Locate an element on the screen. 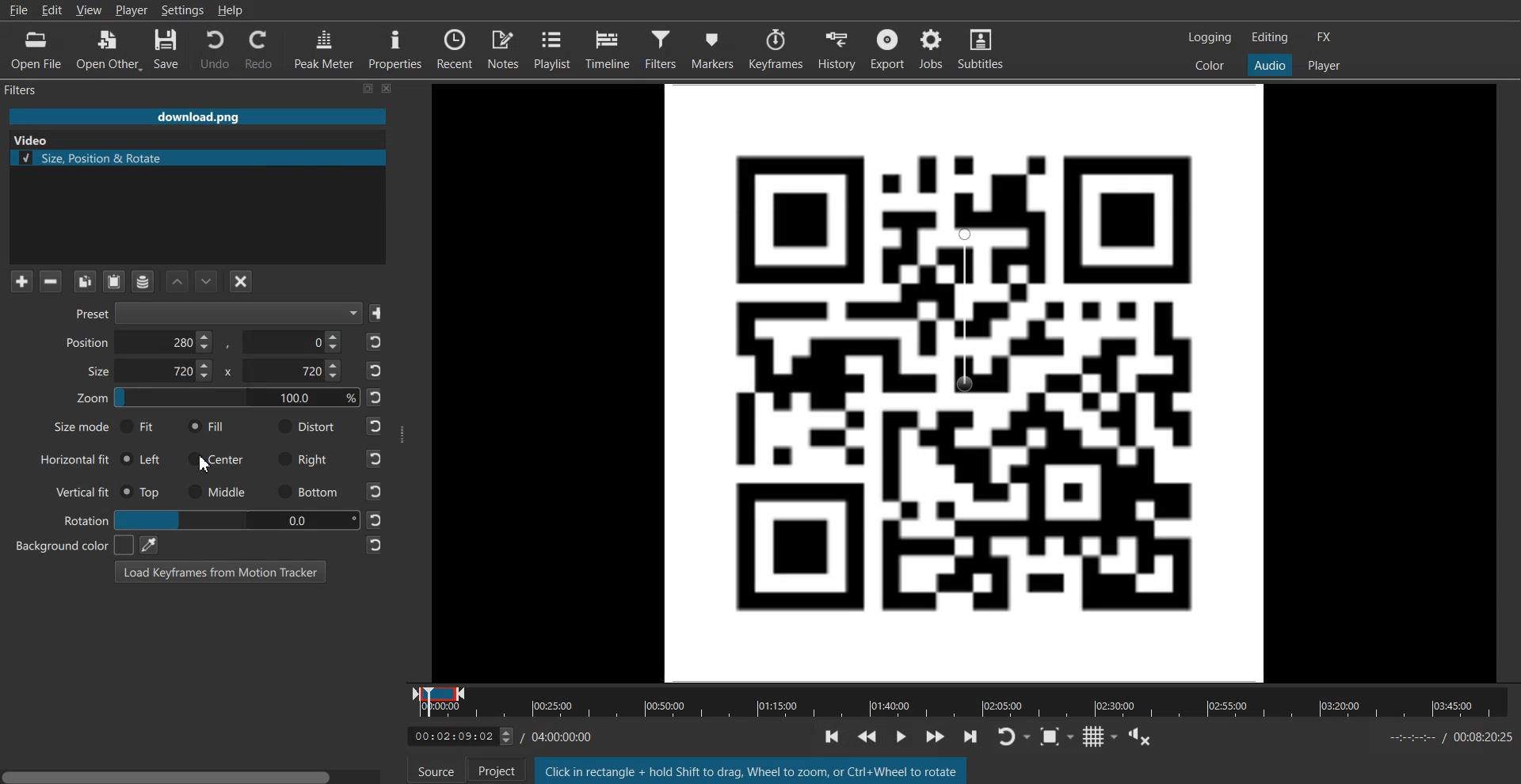  Vertical fit is located at coordinates (77, 490).